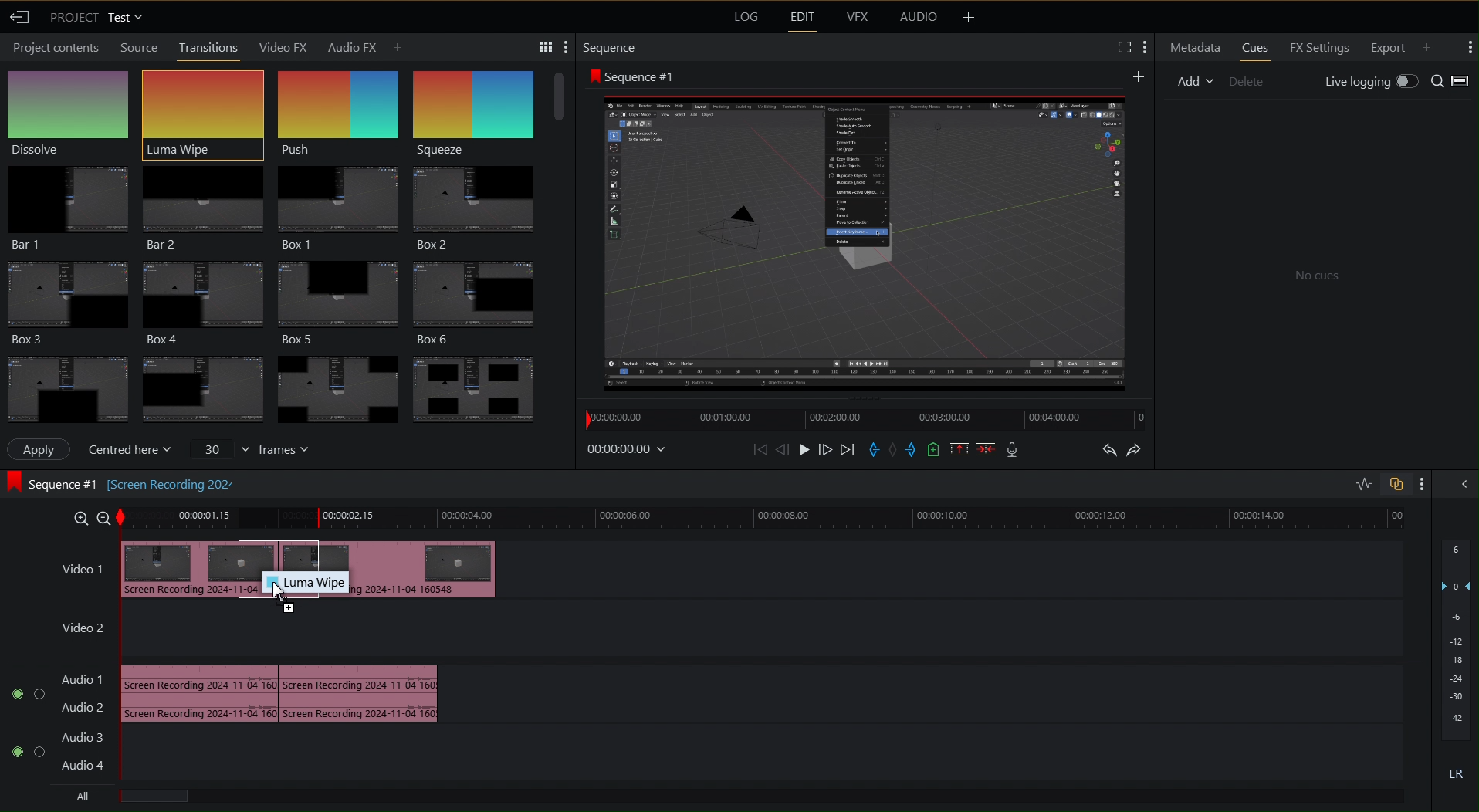  Describe the element at coordinates (1464, 486) in the screenshot. I see `Collapse` at that location.